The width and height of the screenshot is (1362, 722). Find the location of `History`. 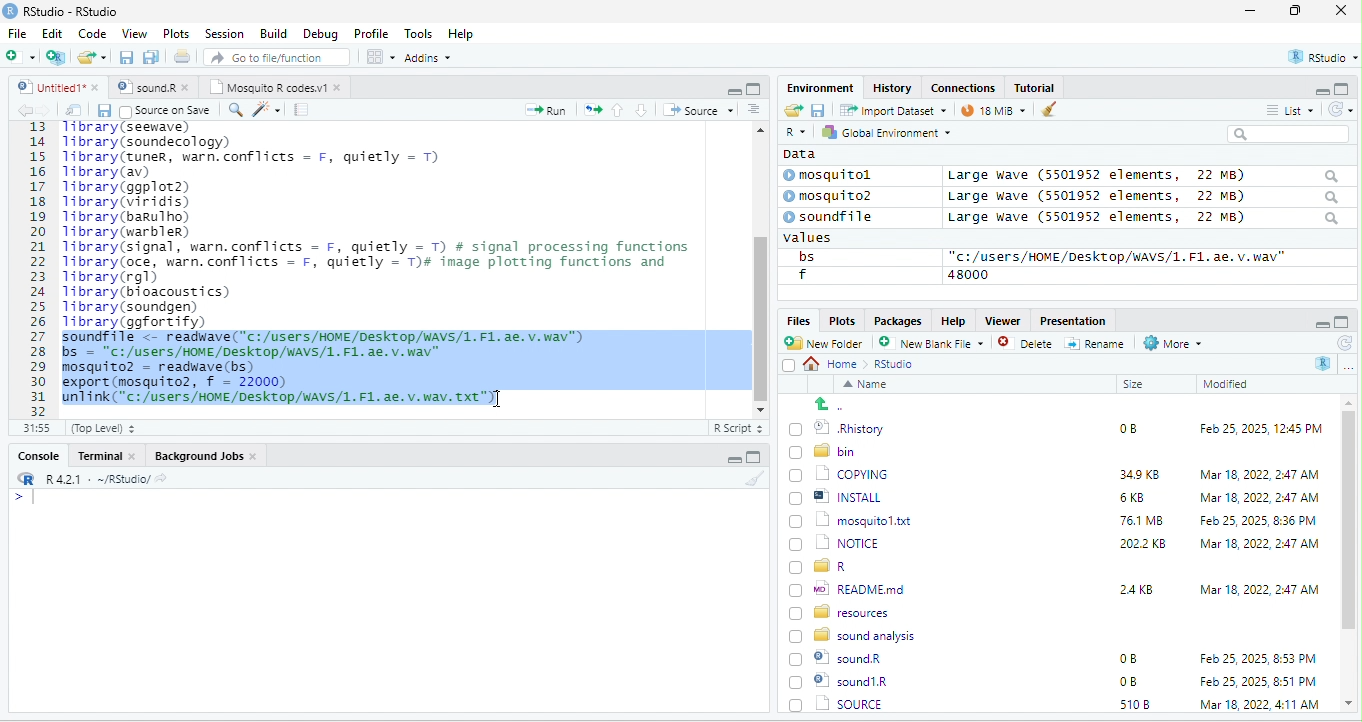

History is located at coordinates (893, 87).